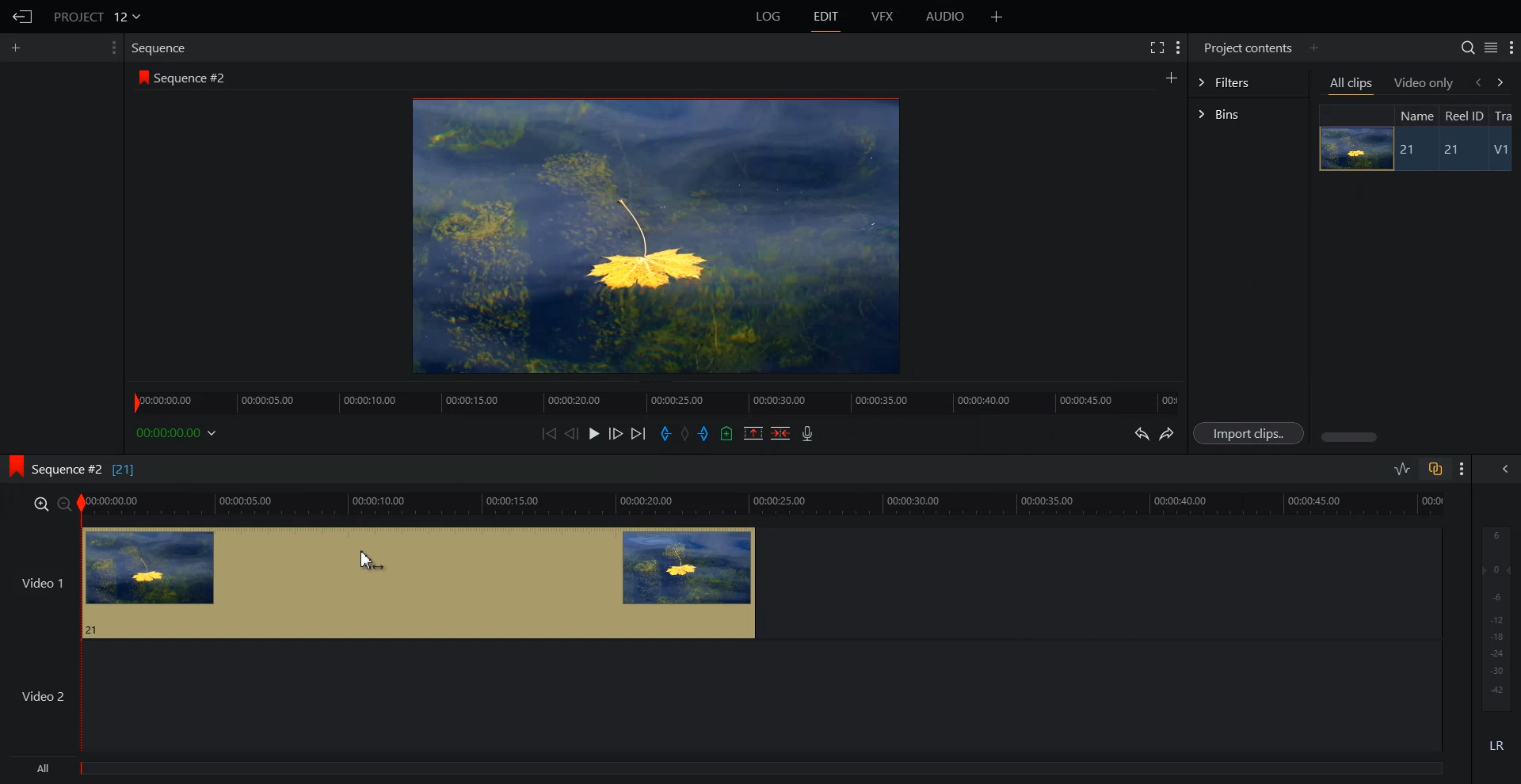  What do you see at coordinates (1156, 46) in the screenshot?
I see `Full screen` at bounding box center [1156, 46].